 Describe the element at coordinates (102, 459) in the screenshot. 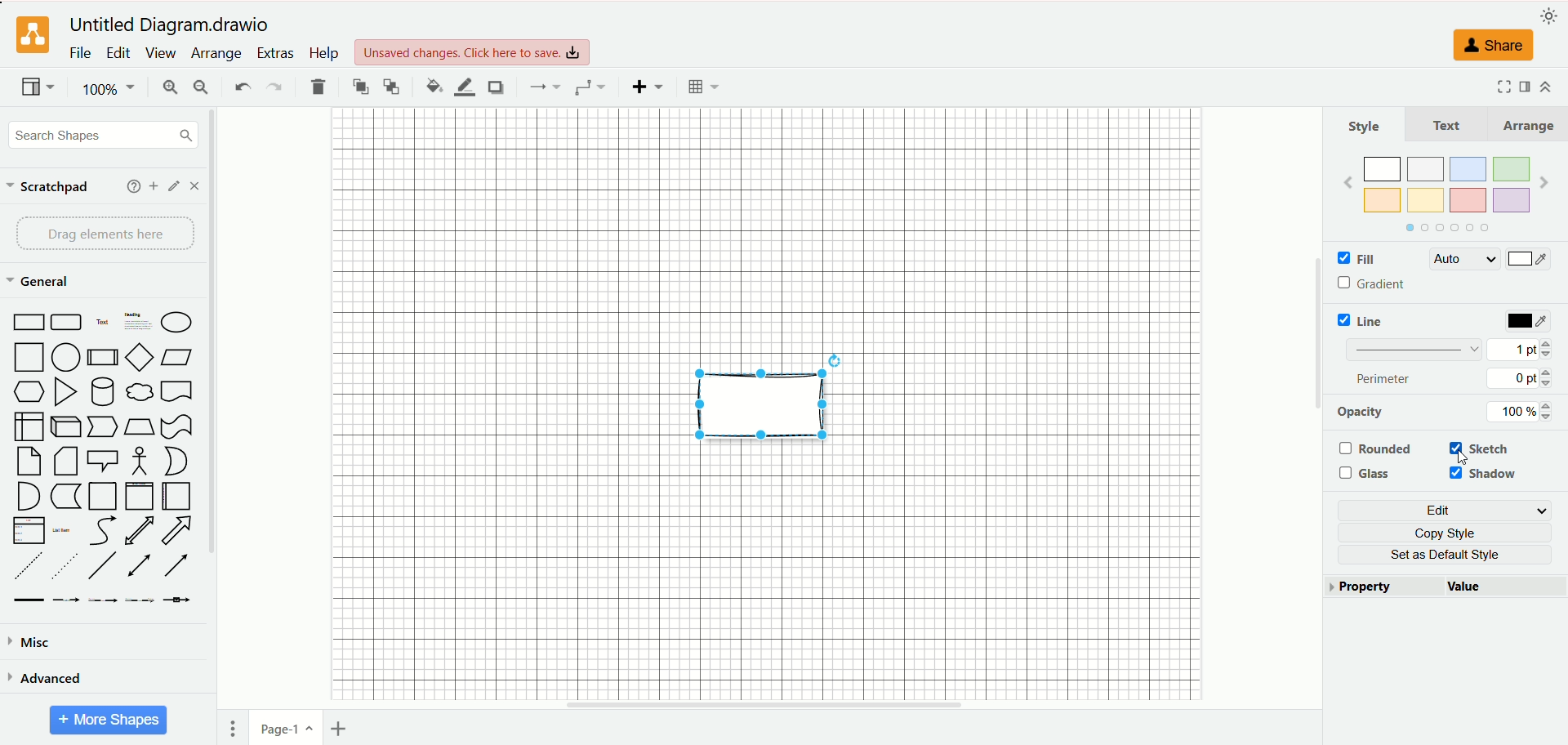

I see `shapes` at that location.